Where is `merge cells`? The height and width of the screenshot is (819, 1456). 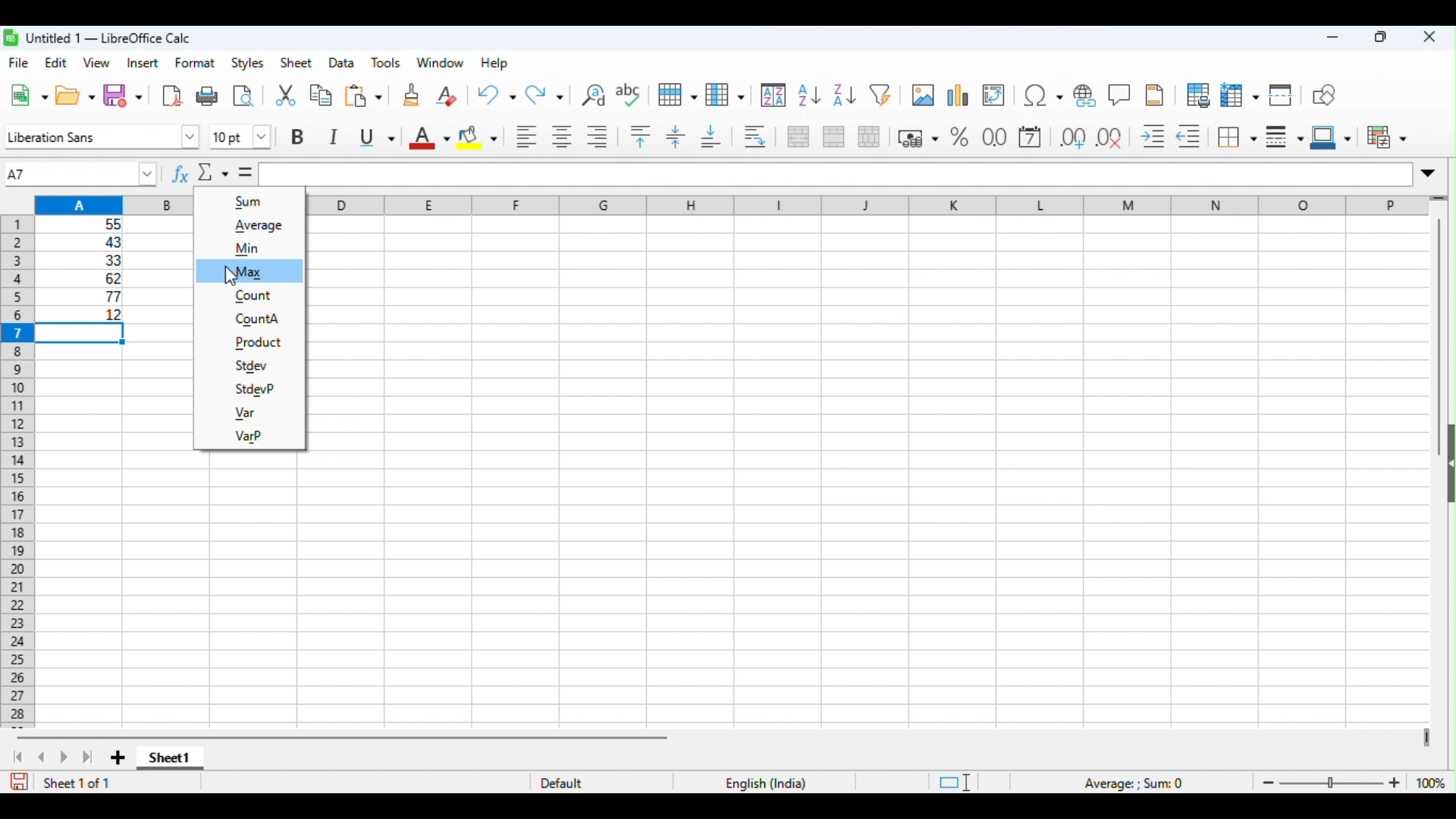
merge cells is located at coordinates (833, 137).